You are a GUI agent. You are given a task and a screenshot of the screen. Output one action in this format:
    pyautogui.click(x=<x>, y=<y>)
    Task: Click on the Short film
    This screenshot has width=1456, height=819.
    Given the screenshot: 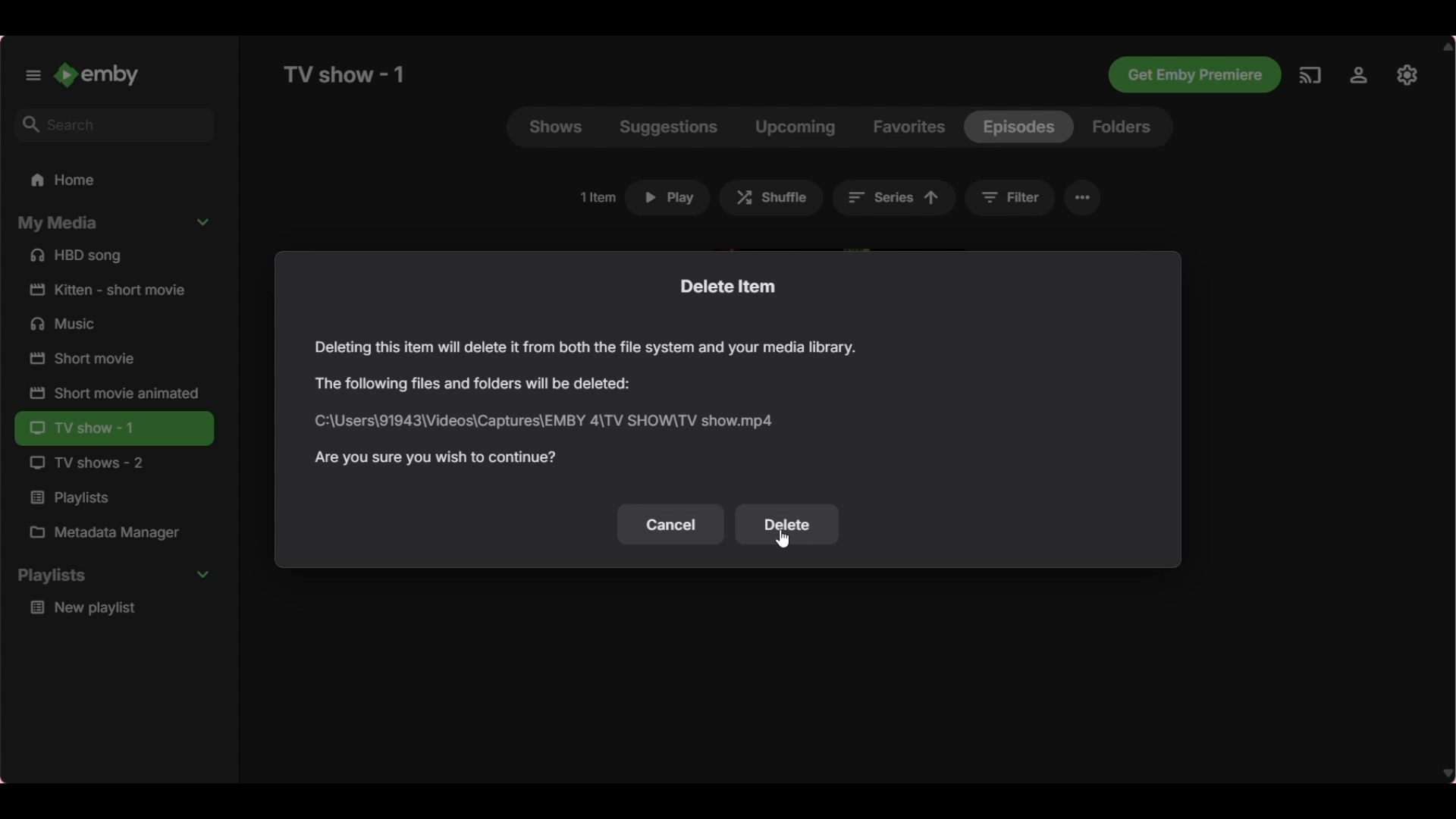 What is the action you would take?
    pyautogui.click(x=113, y=392)
    